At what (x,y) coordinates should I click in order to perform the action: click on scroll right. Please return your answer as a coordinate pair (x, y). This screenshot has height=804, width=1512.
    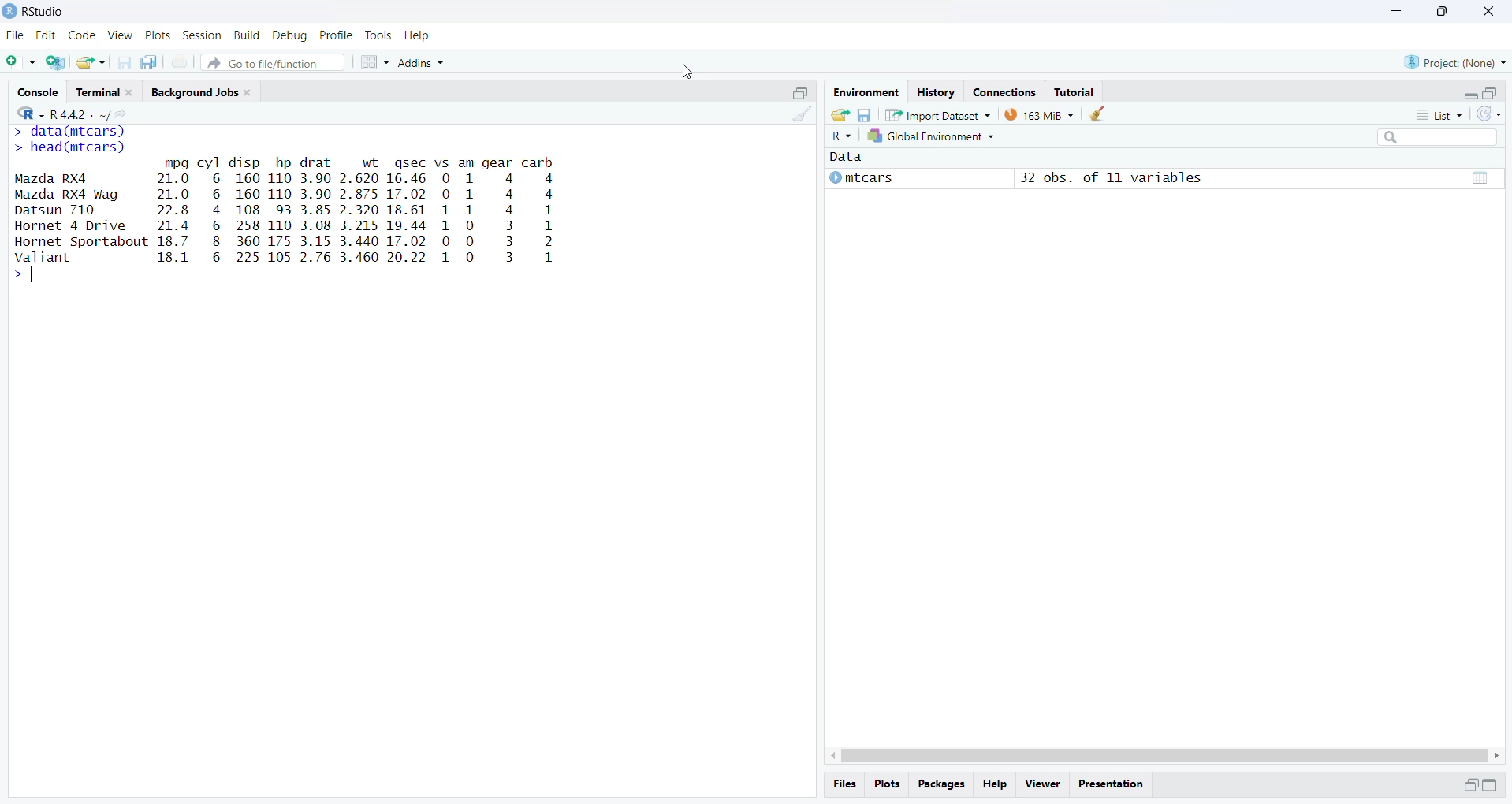
    Looking at the image, I should click on (1499, 755).